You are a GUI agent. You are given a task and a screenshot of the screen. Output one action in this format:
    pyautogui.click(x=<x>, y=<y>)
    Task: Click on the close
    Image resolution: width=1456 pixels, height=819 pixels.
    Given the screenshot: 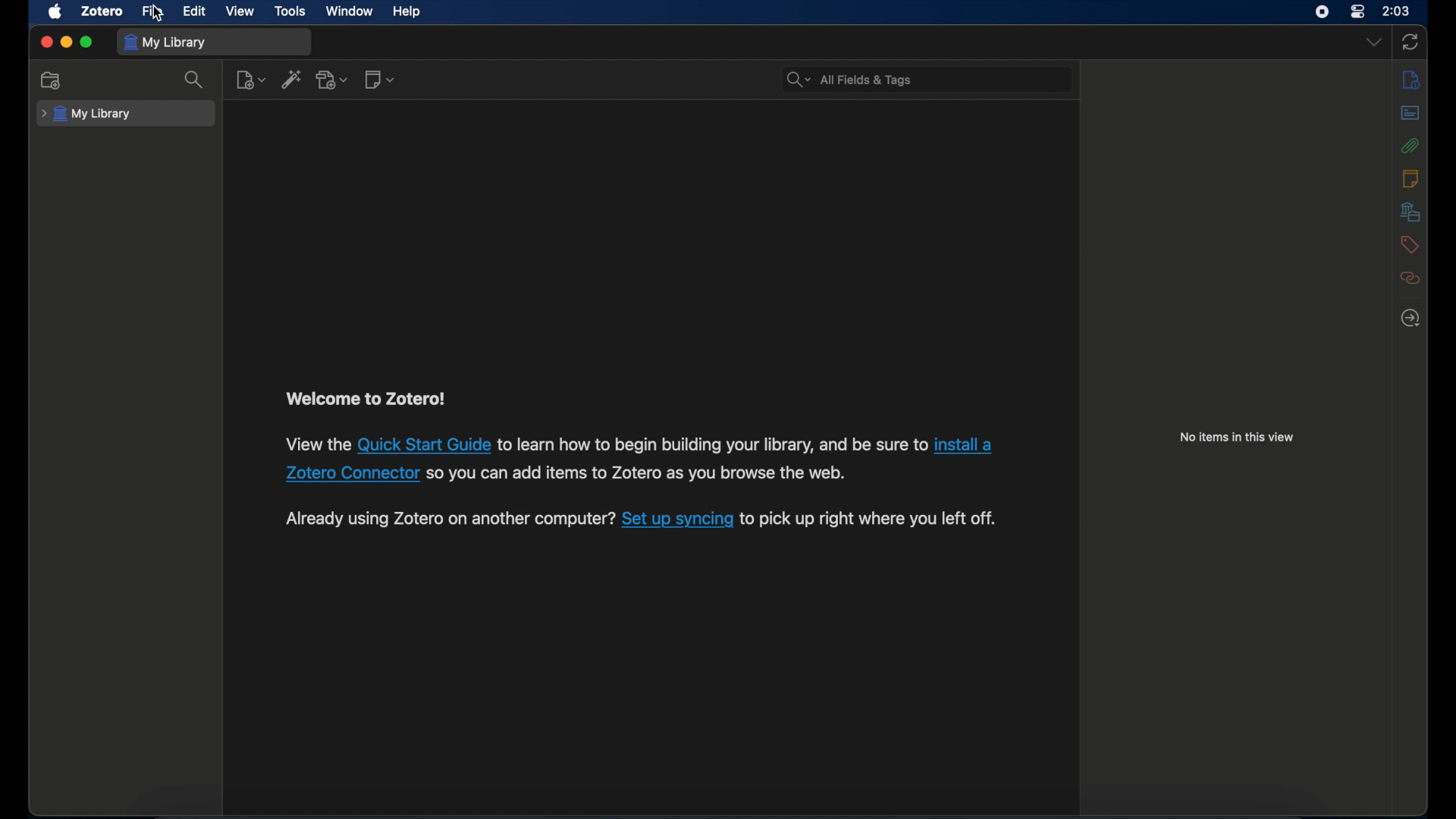 What is the action you would take?
    pyautogui.click(x=46, y=42)
    